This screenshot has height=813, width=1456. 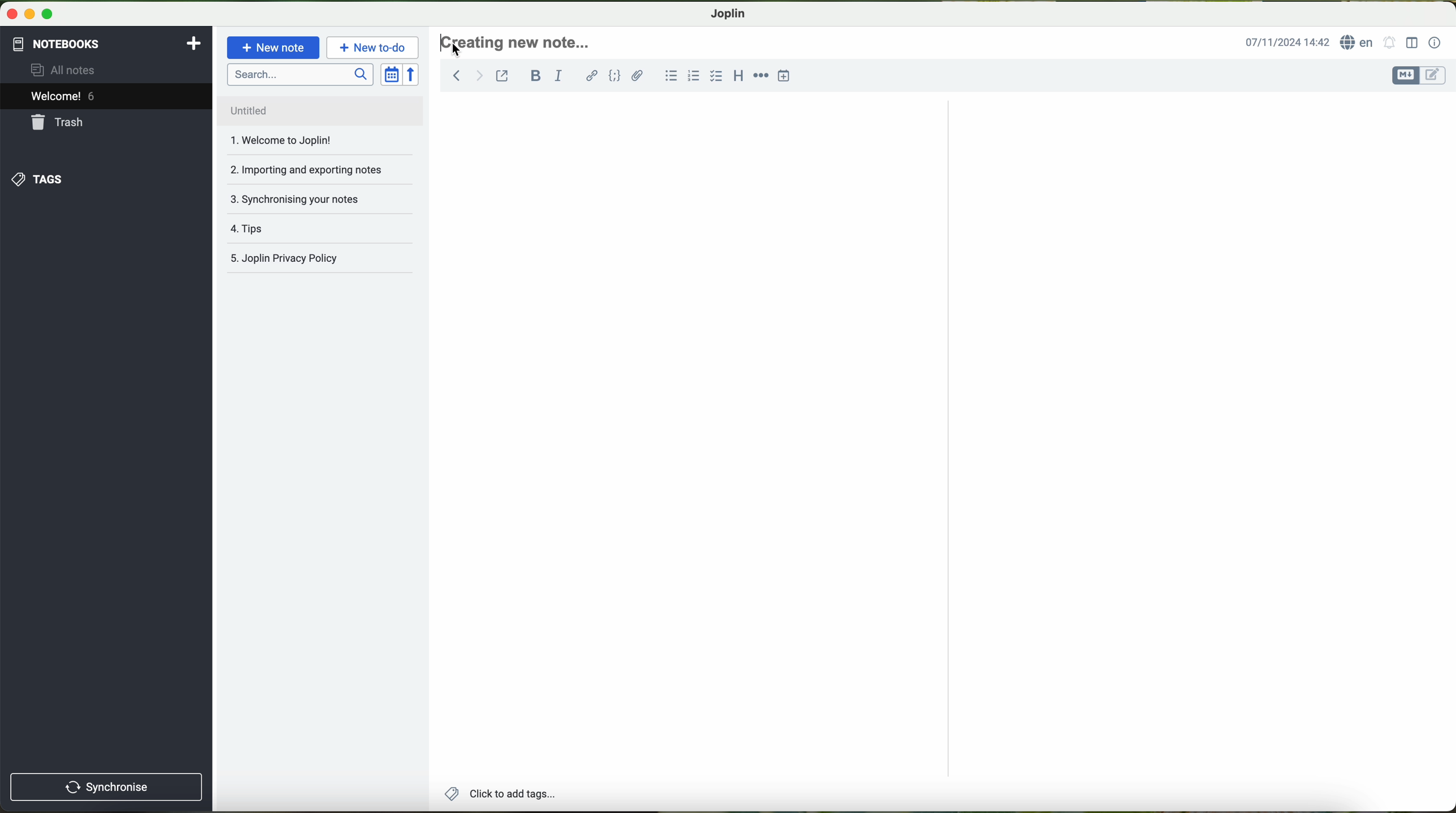 I want to click on search bar, so click(x=298, y=73).